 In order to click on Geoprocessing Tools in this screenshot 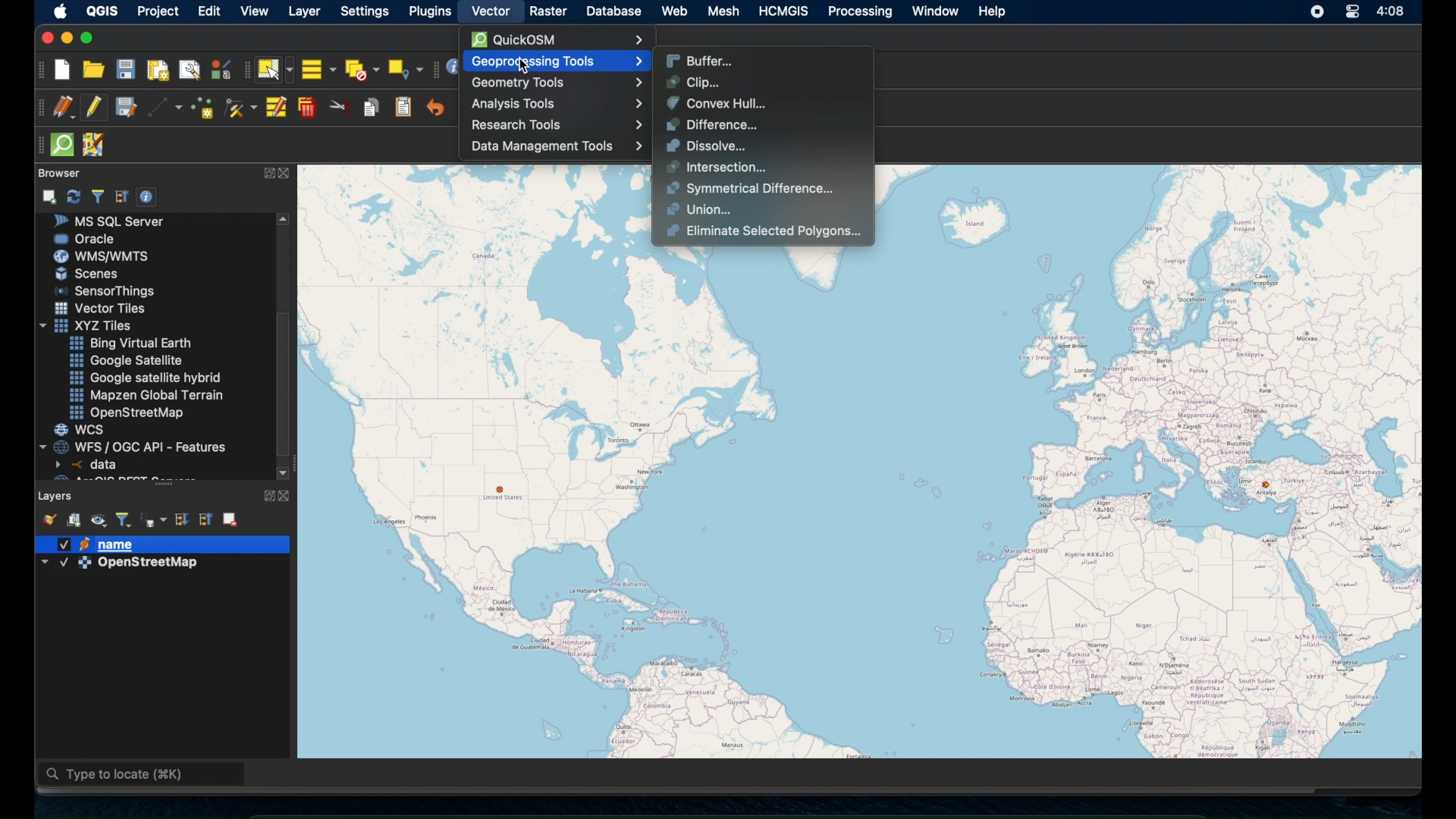, I will do `click(555, 61)`.